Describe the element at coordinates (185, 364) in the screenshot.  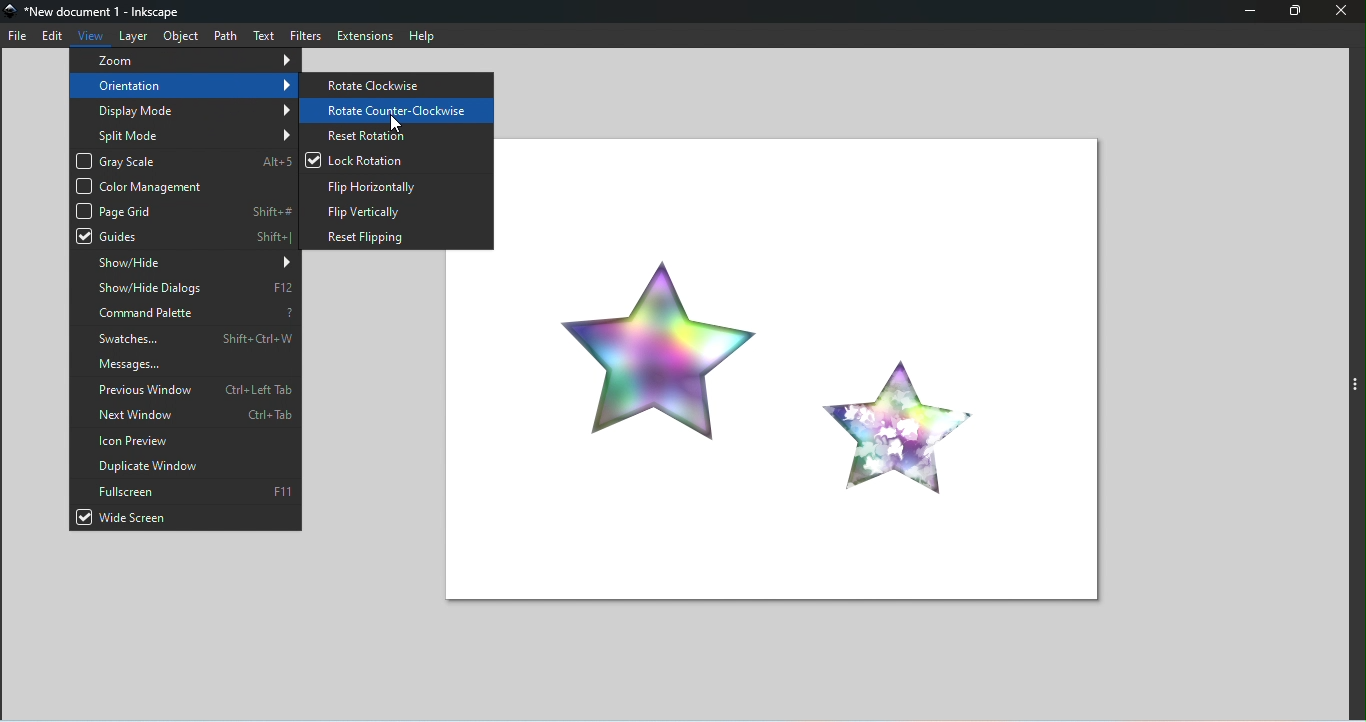
I see `Messages` at that location.